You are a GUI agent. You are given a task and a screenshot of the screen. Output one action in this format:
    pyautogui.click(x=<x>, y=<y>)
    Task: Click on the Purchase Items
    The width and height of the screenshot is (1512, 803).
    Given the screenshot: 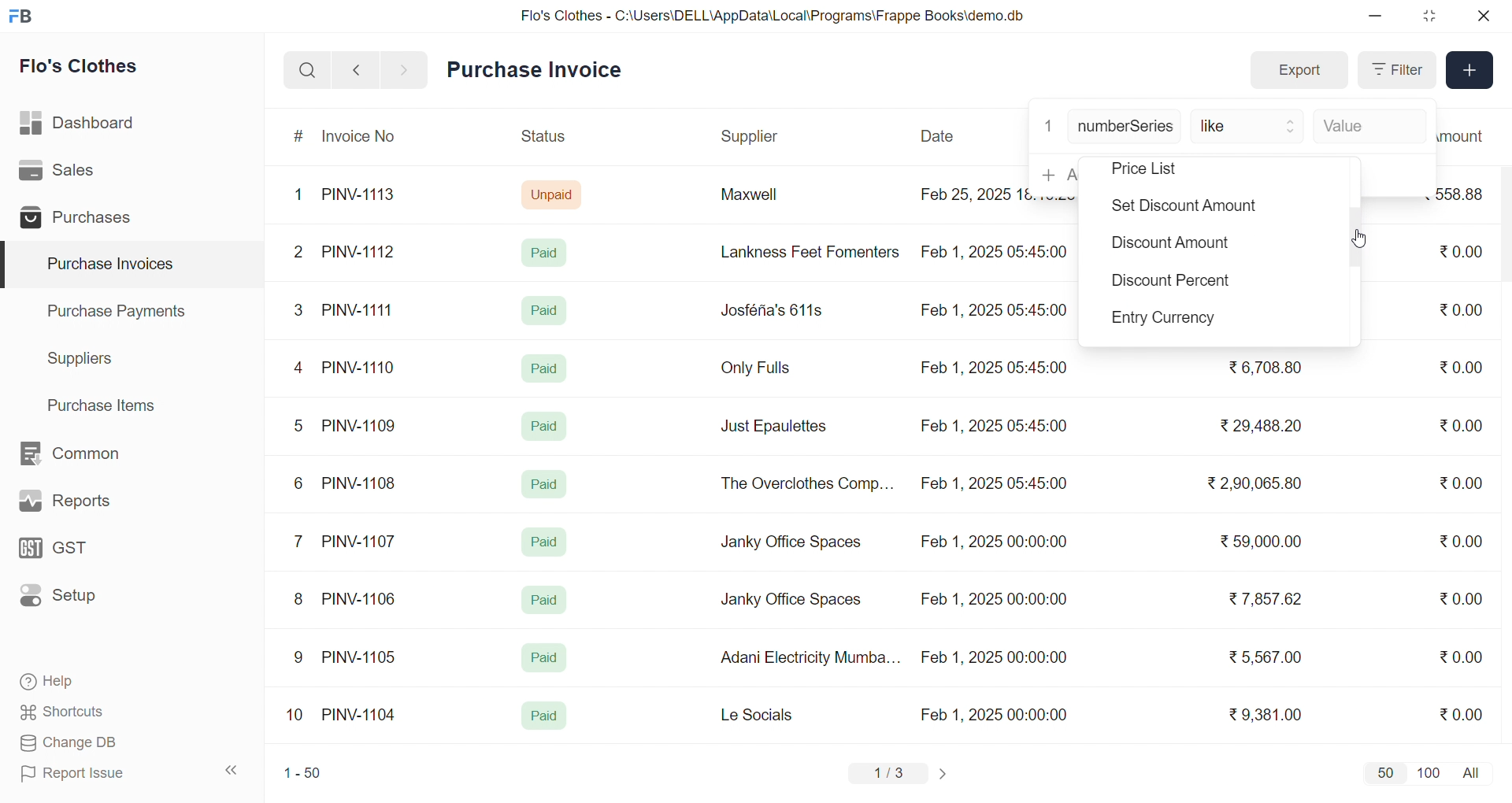 What is the action you would take?
    pyautogui.click(x=107, y=403)
    